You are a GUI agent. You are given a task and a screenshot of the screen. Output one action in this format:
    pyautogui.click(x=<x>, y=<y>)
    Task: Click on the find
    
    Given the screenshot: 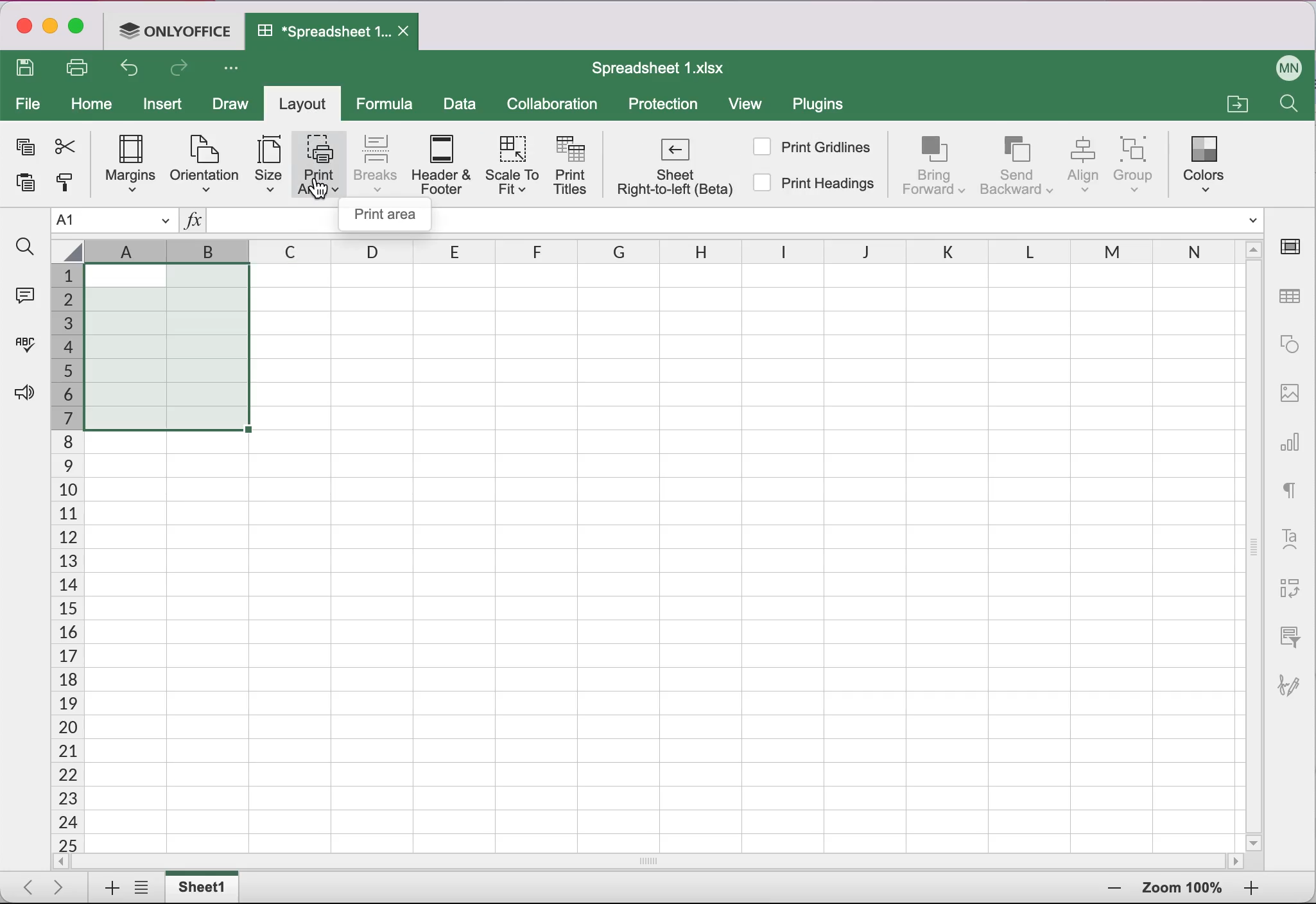 What is the action you would take?
    pyautogui.click(x=24, y=247)
    